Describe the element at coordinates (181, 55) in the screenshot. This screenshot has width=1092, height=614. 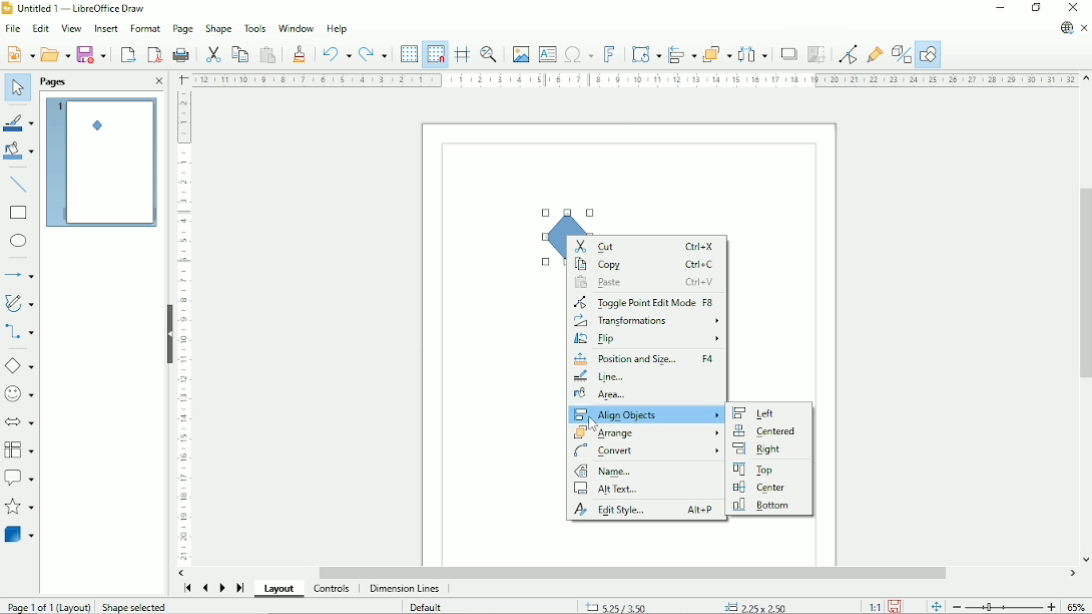
I see `Print` at that location.